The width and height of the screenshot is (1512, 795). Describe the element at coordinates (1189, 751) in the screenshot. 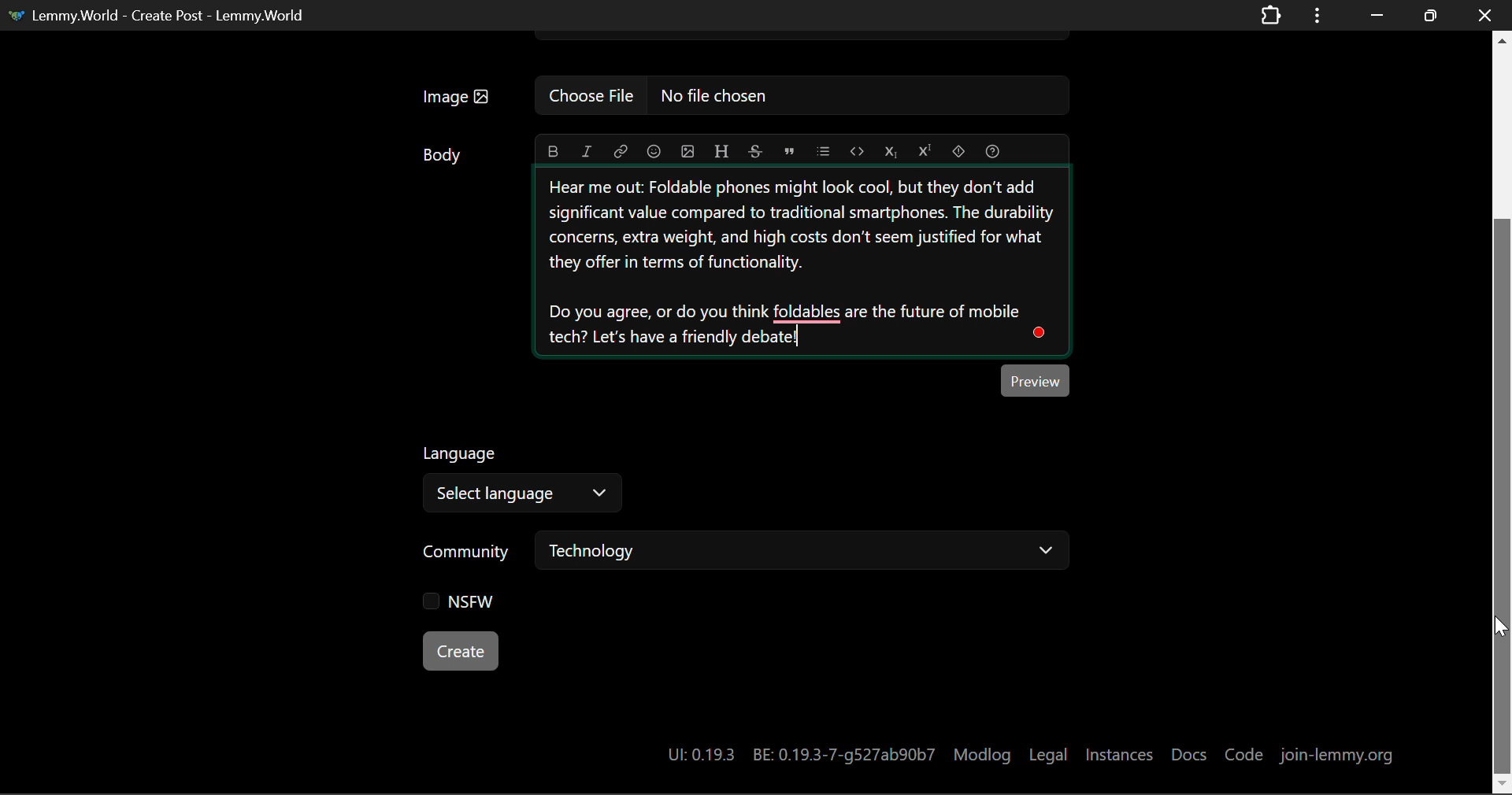

I see `Docs` at that location.